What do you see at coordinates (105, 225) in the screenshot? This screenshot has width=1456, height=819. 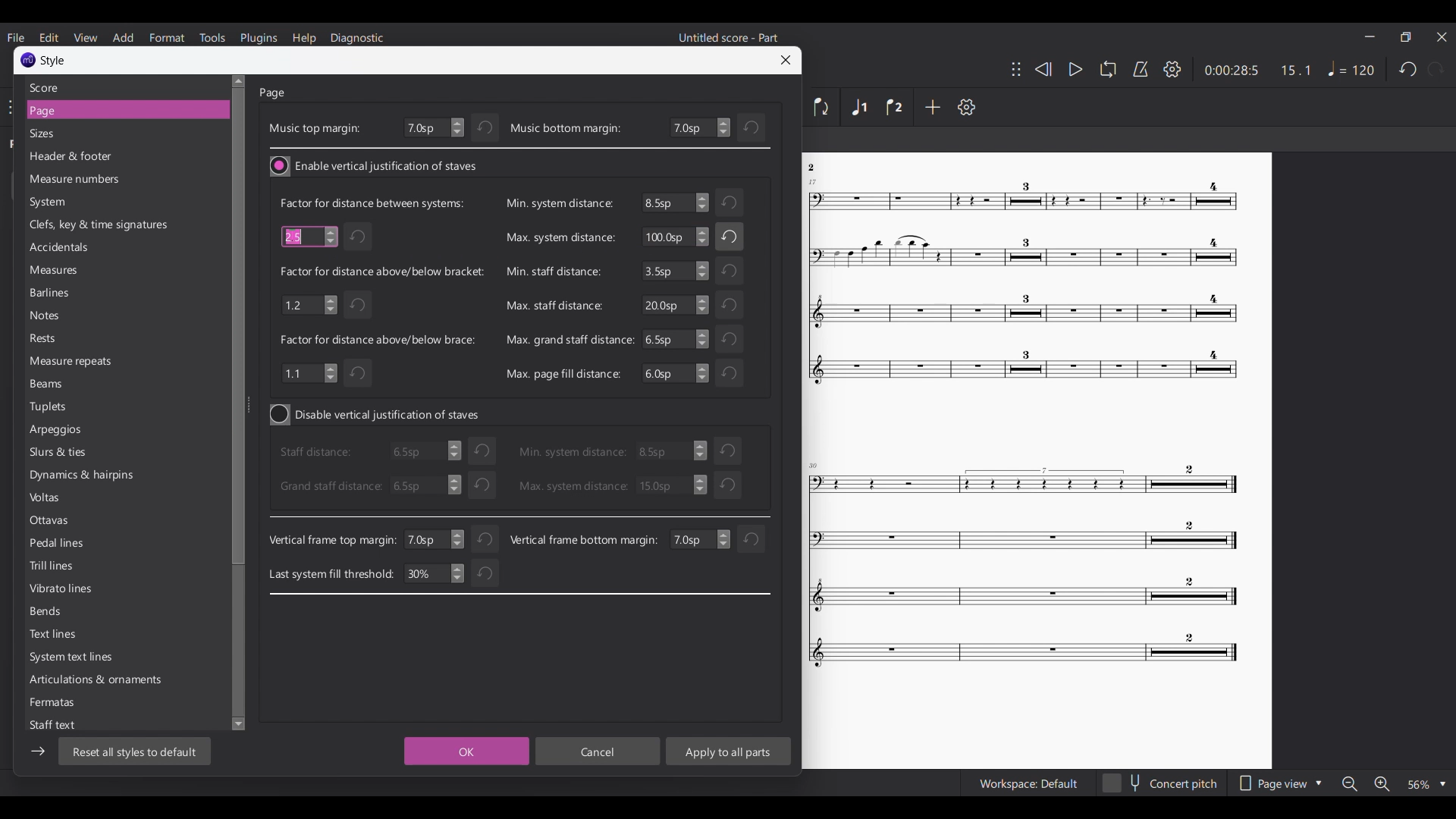 I see `Clefs, key & time signature` at bounding box center [105, 225].